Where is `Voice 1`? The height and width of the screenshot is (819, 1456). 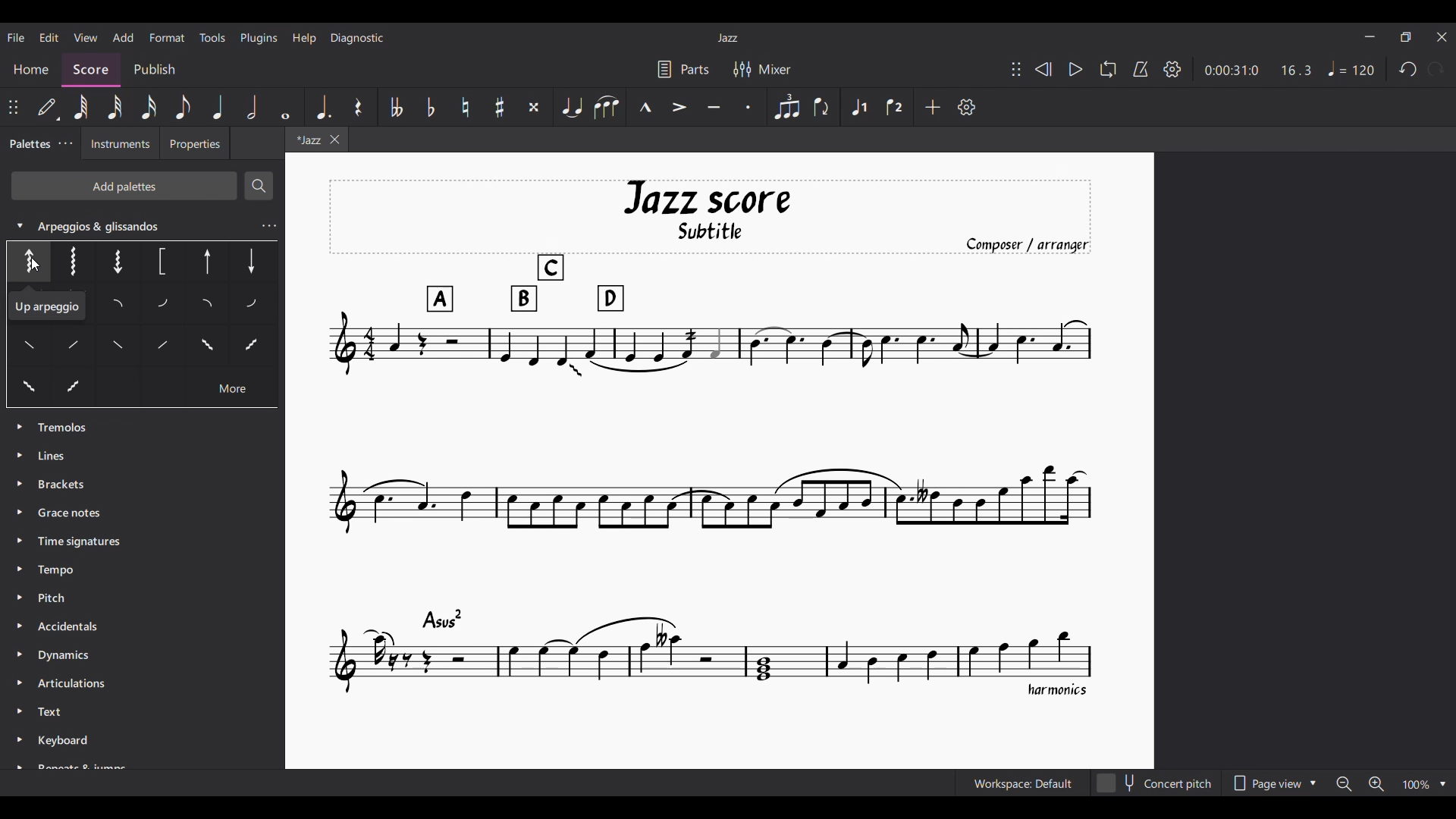 Voice 1 is located at coordinates (858, 107).